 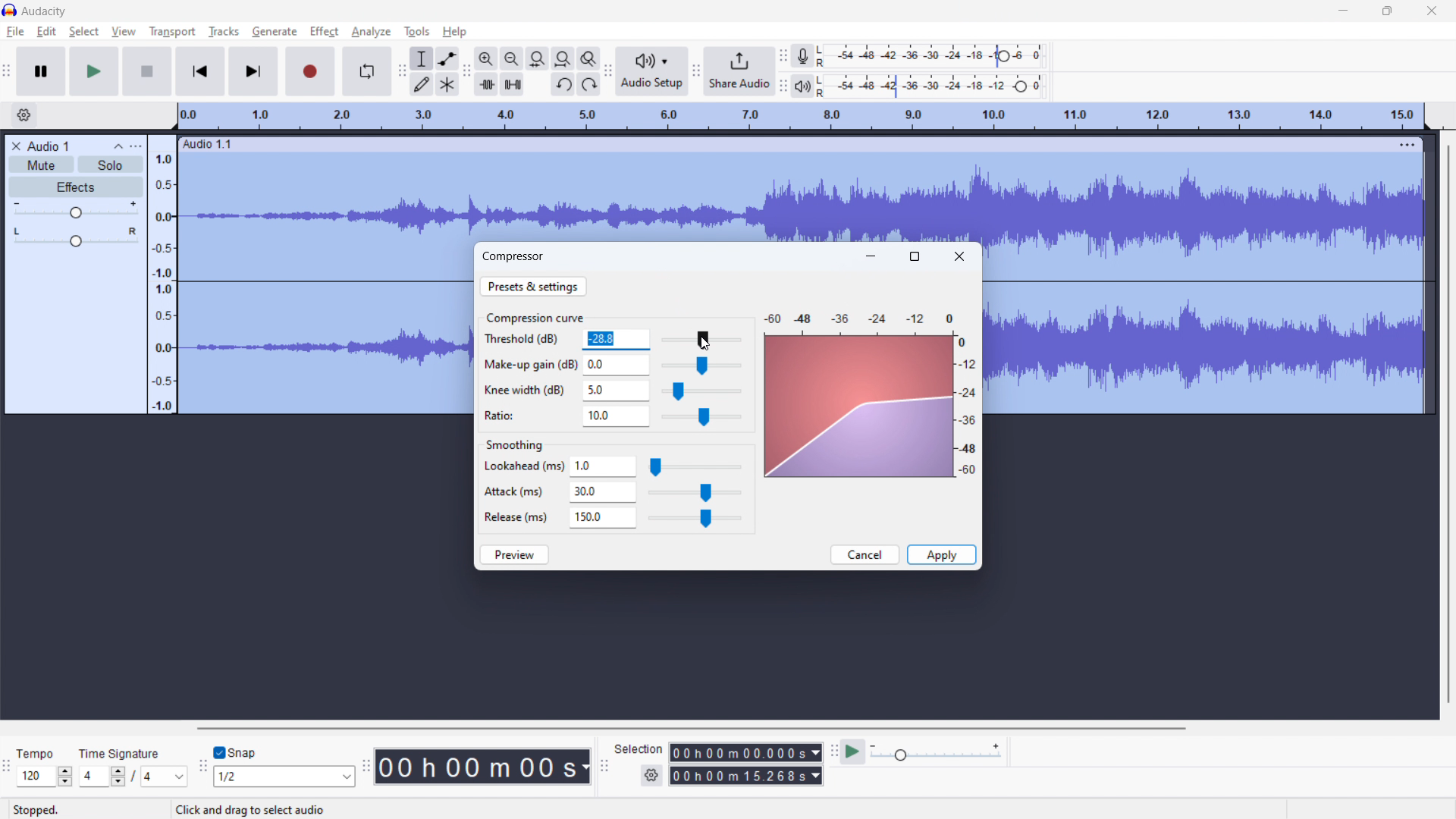 I want to click on toggle snap, so click(x=235, y=753).